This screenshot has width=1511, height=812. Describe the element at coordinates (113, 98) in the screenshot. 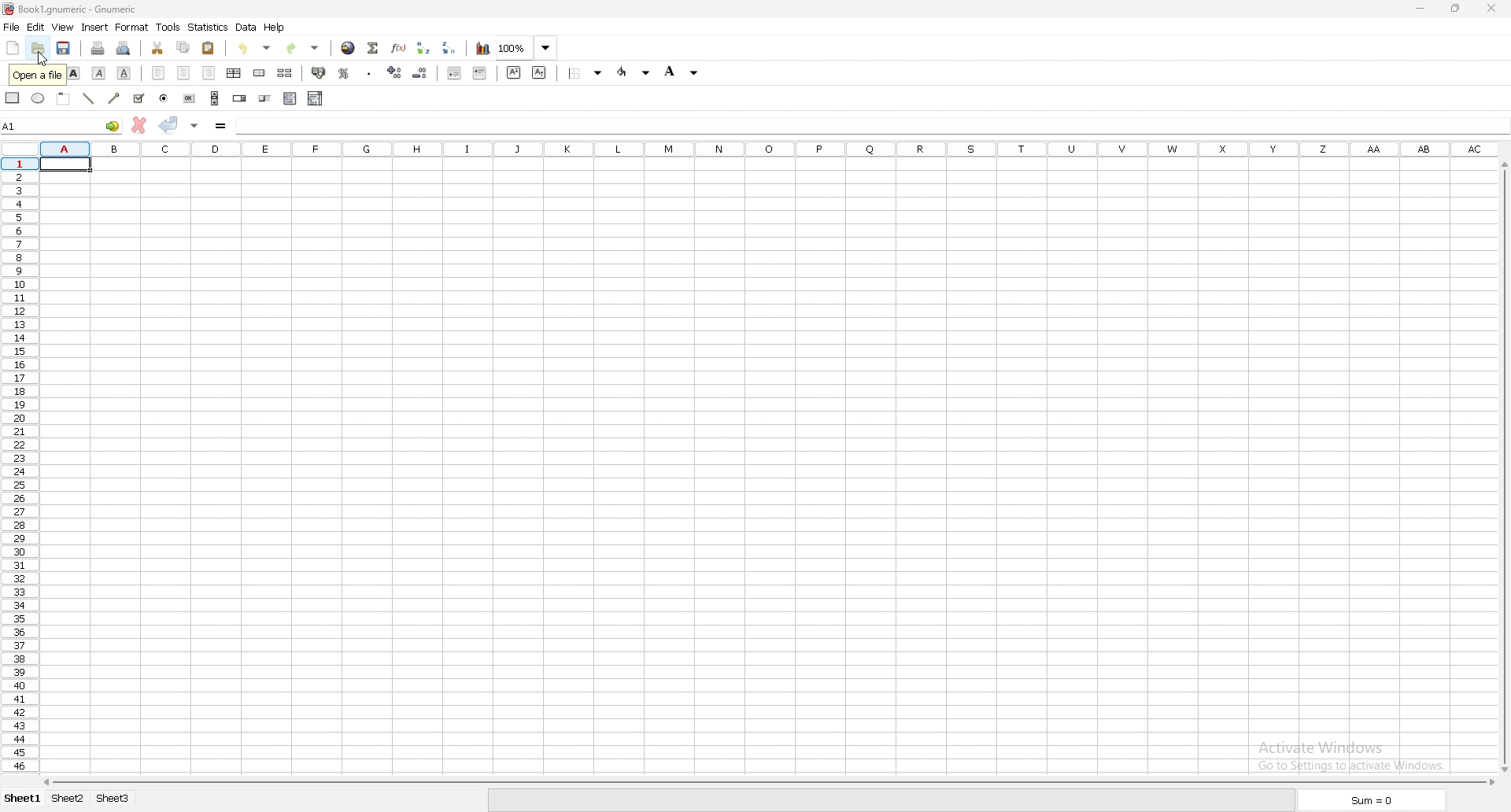

I see `arrowed line` at that location.